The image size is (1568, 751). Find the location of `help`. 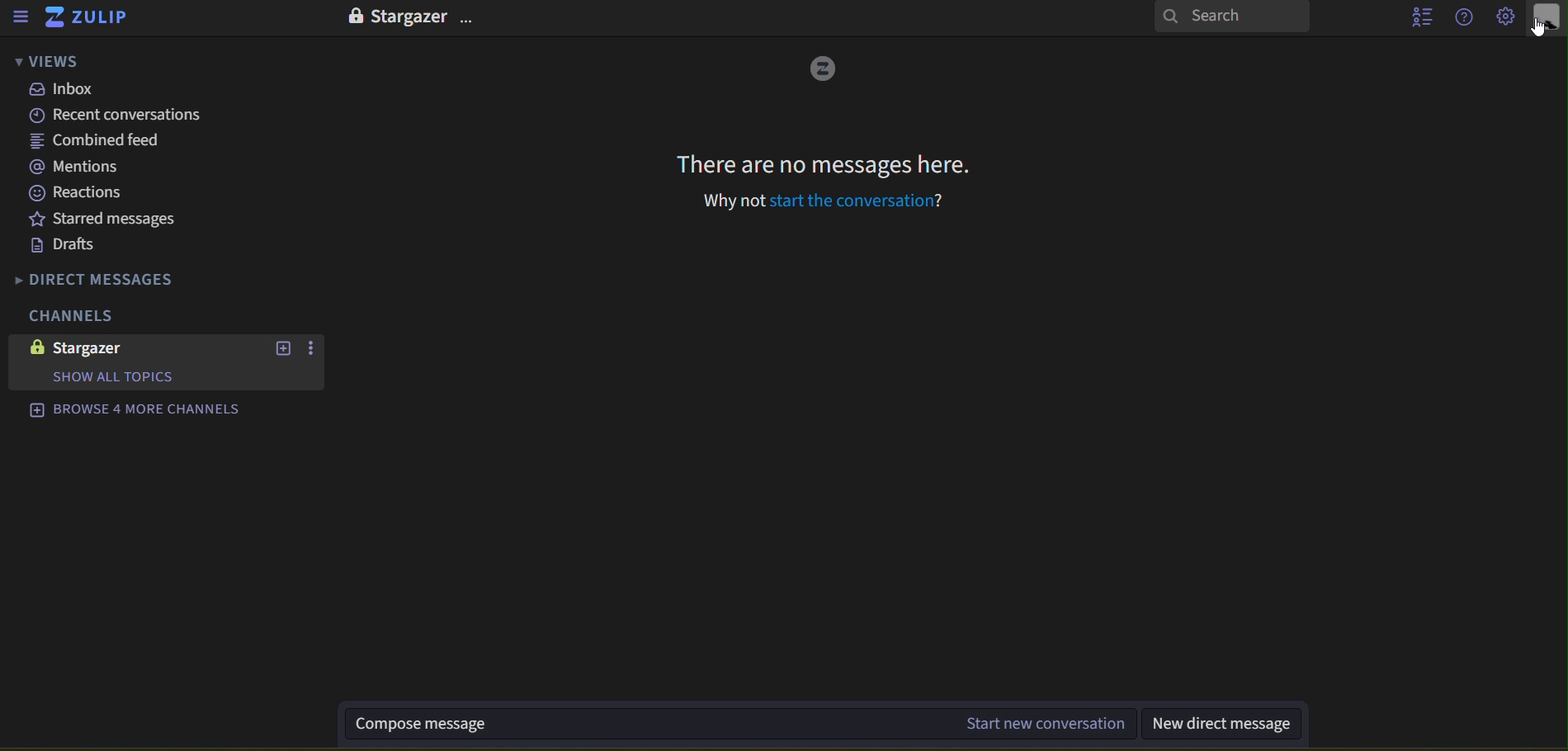

help is located at coordinates (1466, 17).